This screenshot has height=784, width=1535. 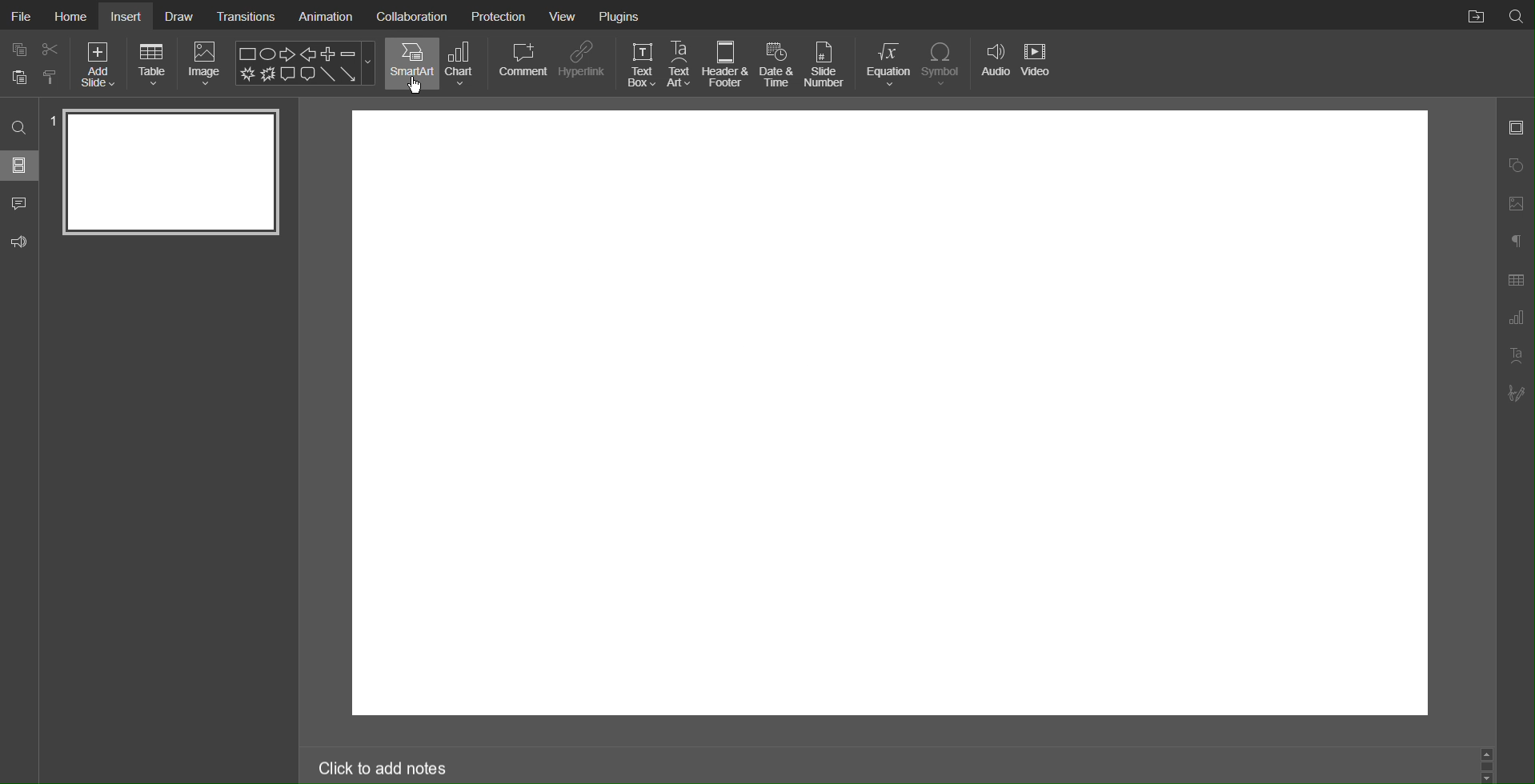 I want to click on slide number, so click(x=50, y=121).